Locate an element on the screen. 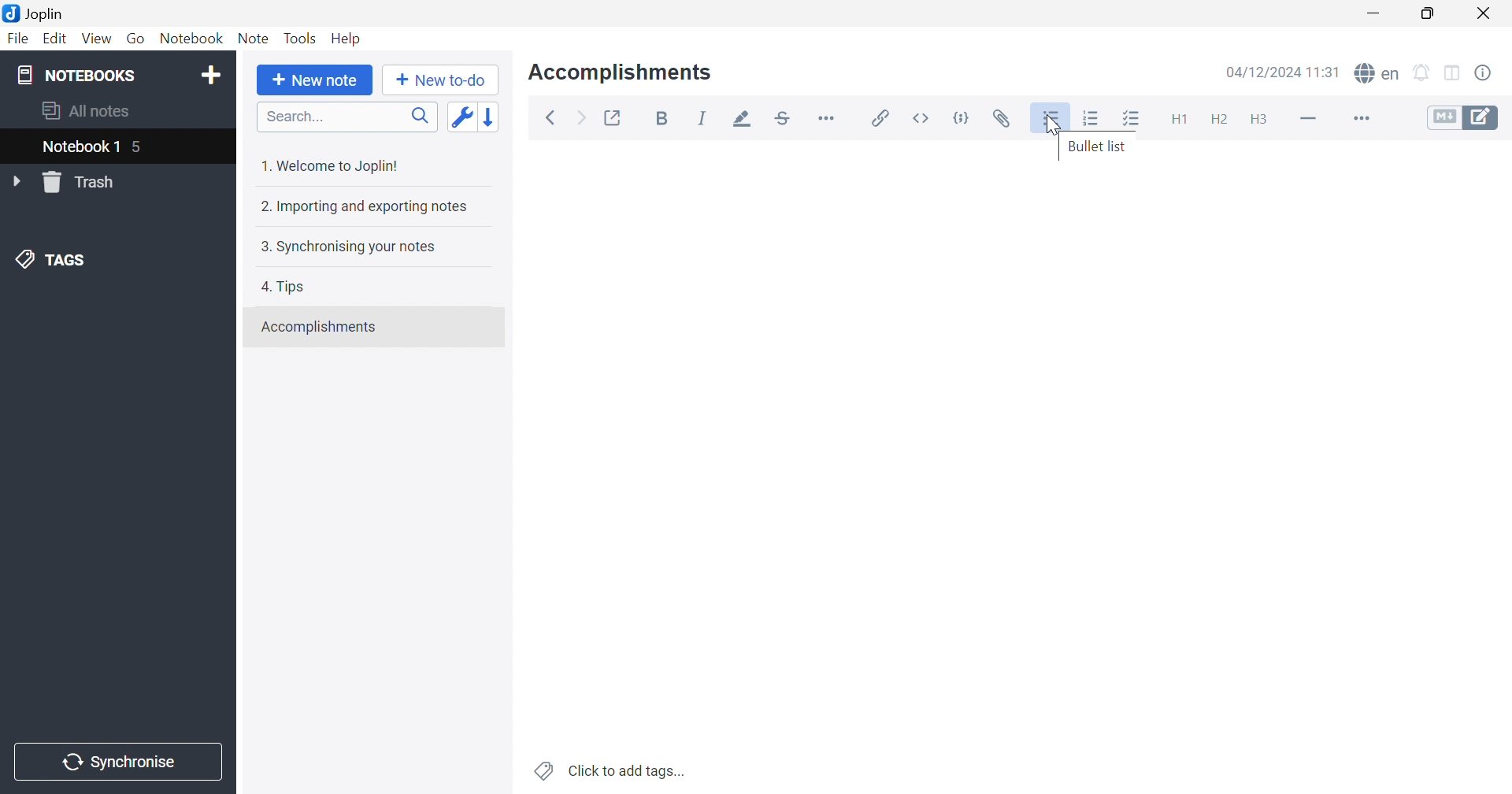 This screenshot has height=794, width=1512. Cursor is located at coordinates (1048, 127).